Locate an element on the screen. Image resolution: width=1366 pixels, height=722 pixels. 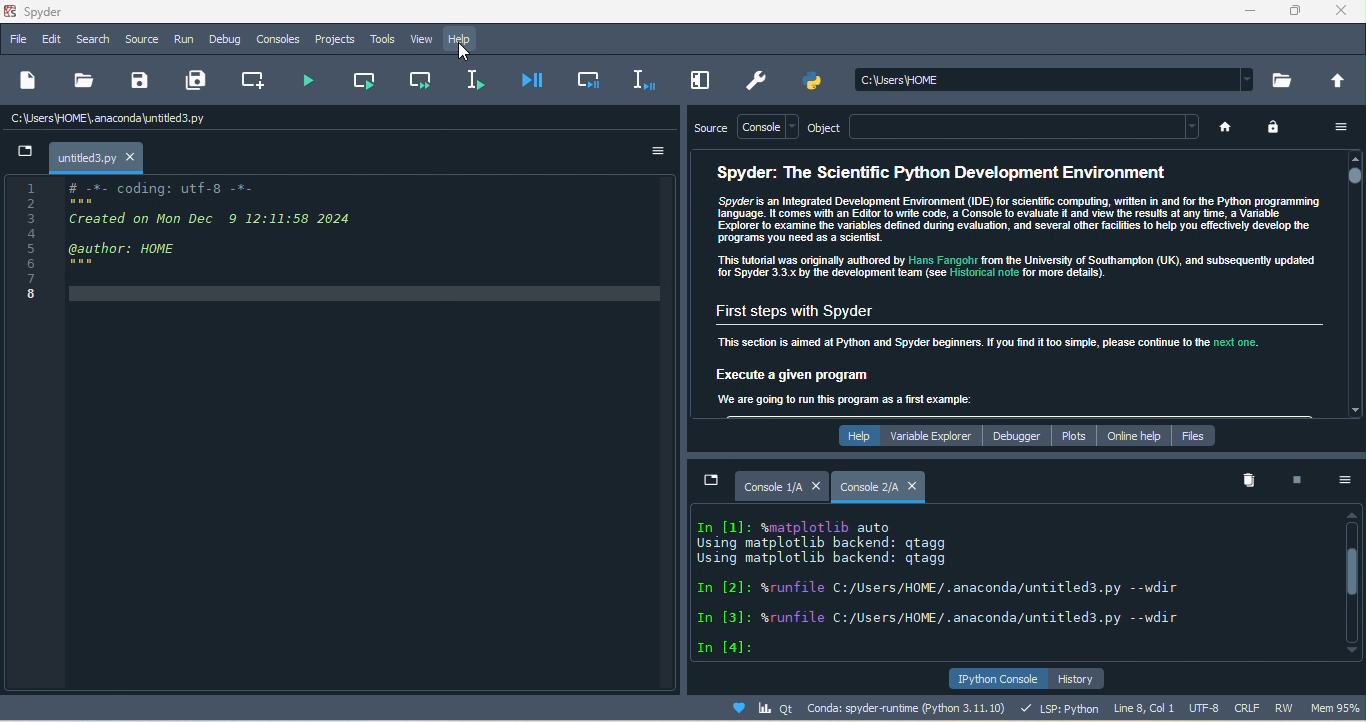
object is located at coordinates (831, 127).